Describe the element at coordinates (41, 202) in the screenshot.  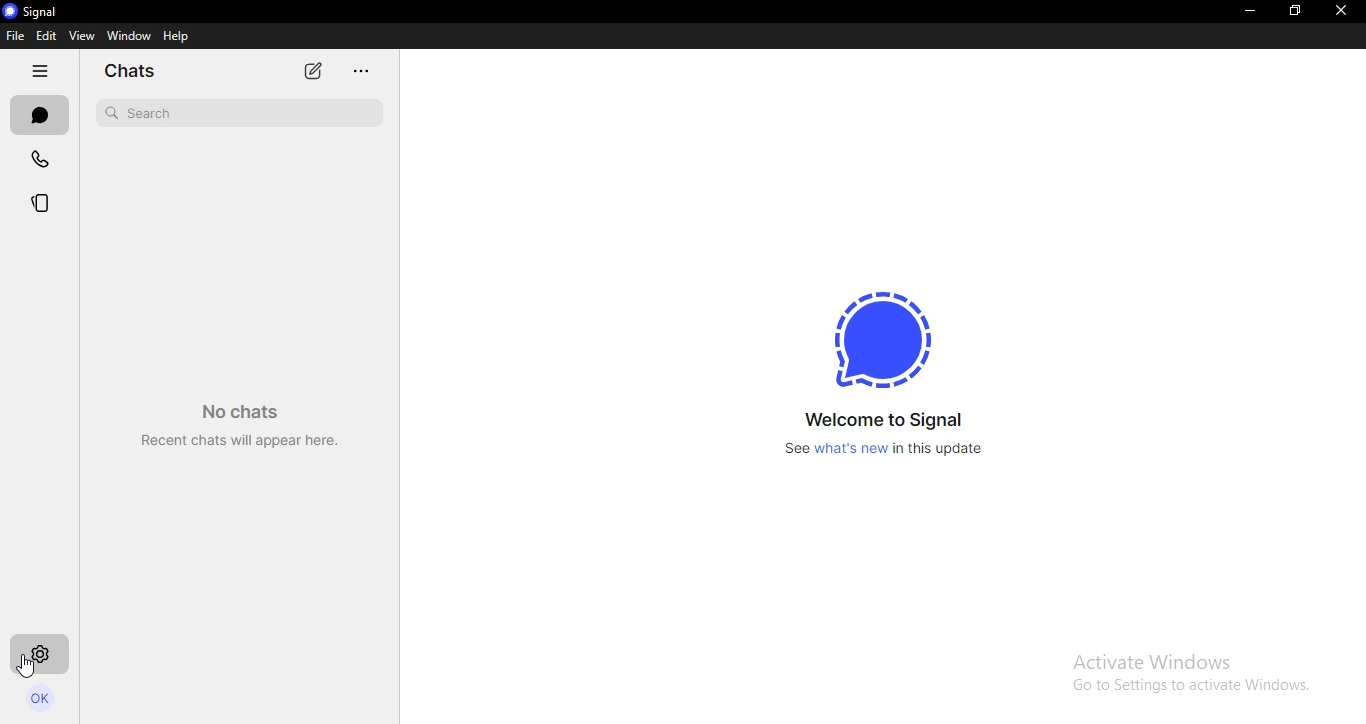
I see `stories` at that location.